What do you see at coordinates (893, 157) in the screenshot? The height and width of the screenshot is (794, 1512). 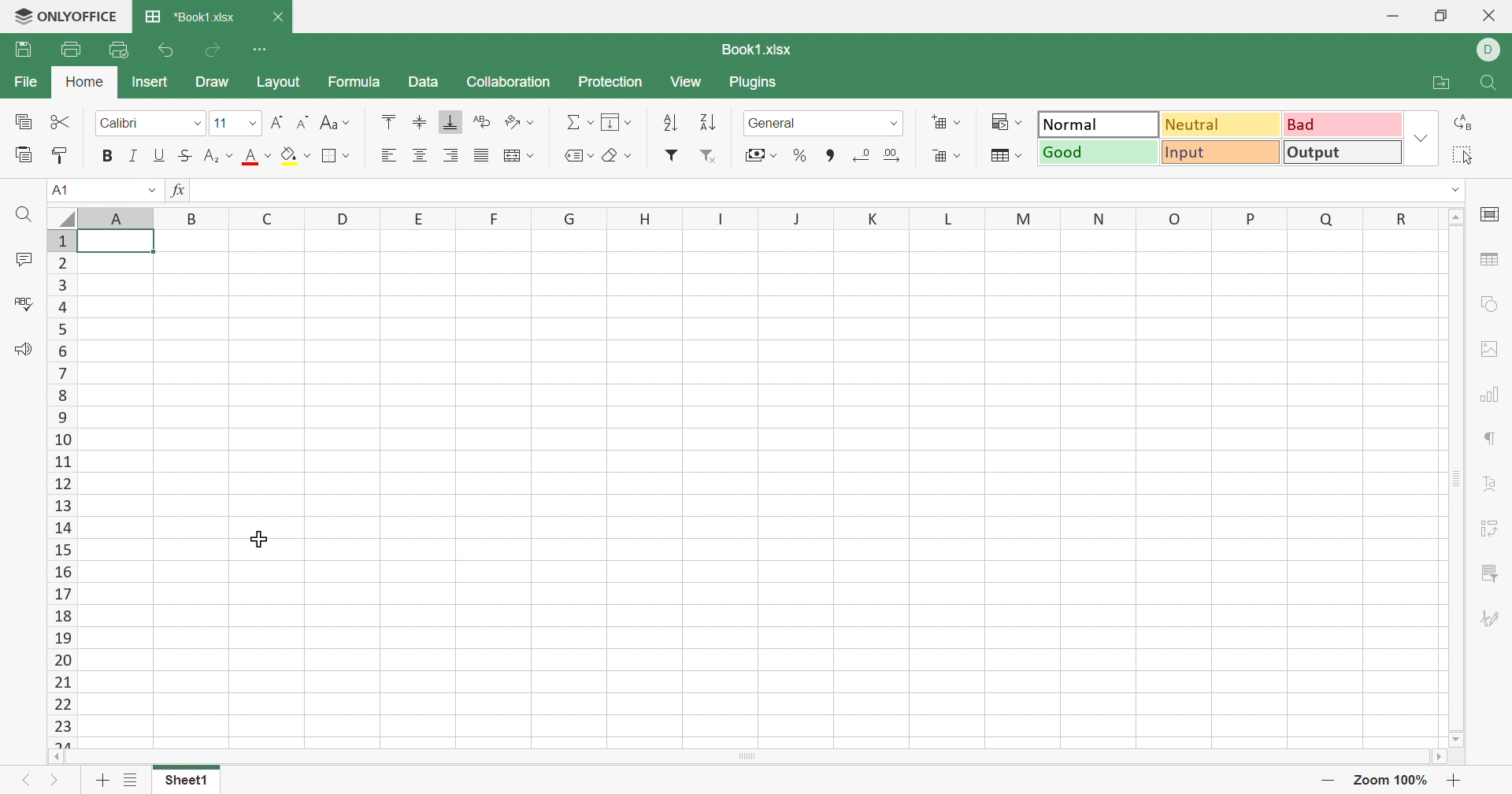 I see `Increase decimal` at bounding box center [893, 157].